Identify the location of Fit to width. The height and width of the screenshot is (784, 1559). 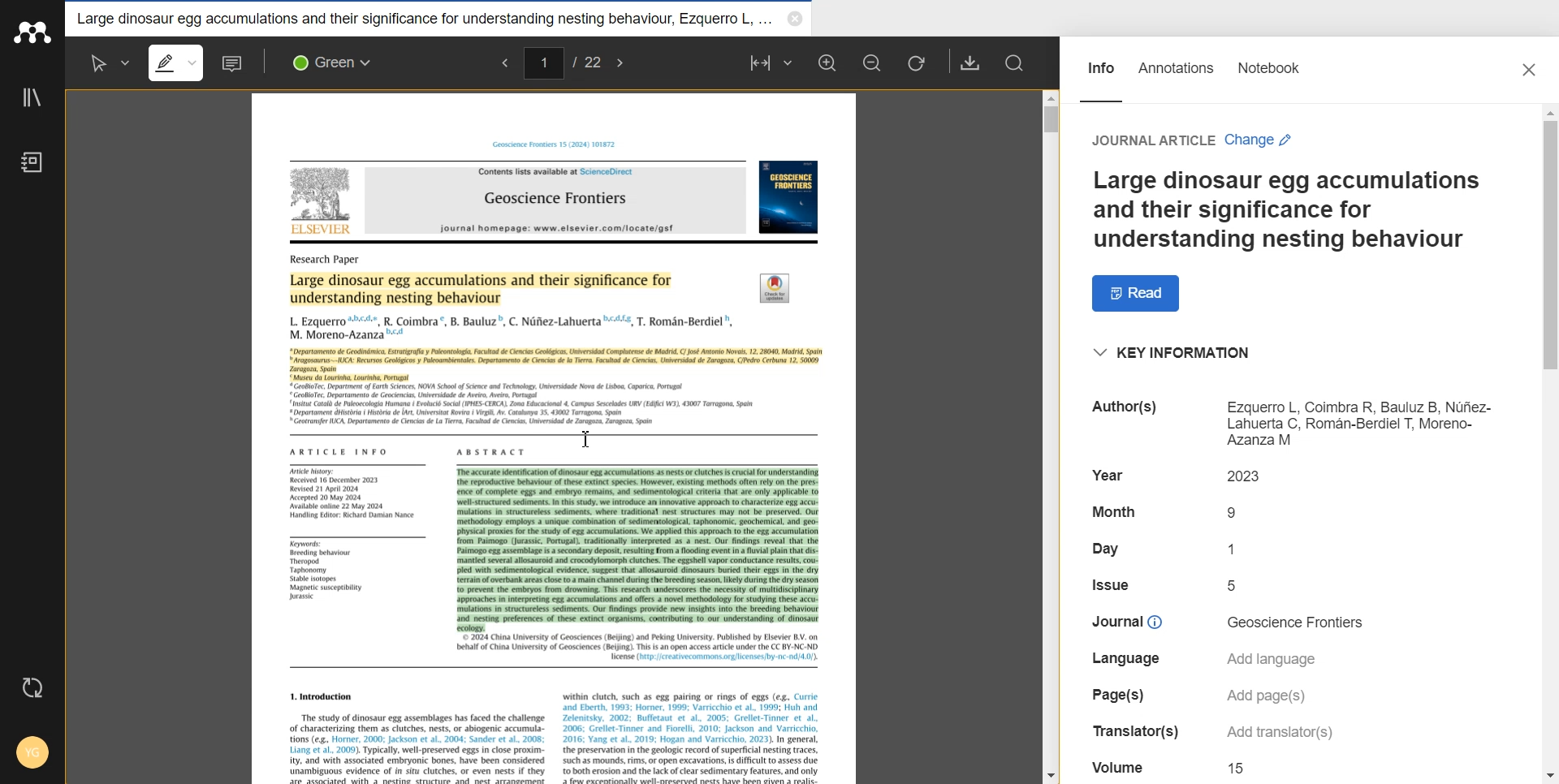
(771, 62).